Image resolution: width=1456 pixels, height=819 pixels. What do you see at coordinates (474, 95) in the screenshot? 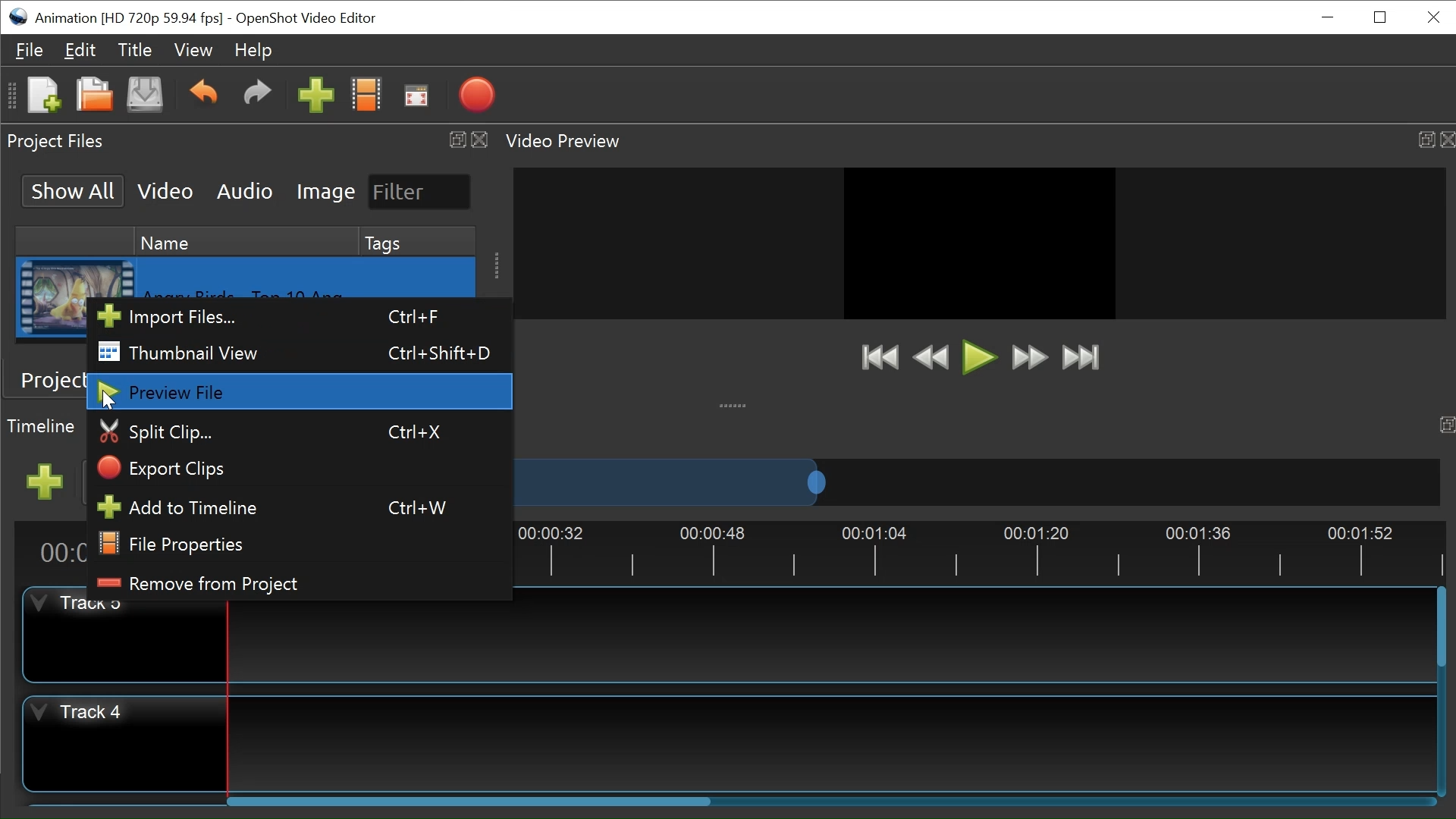
I see `Export Video` at bounding box center [474, 95].